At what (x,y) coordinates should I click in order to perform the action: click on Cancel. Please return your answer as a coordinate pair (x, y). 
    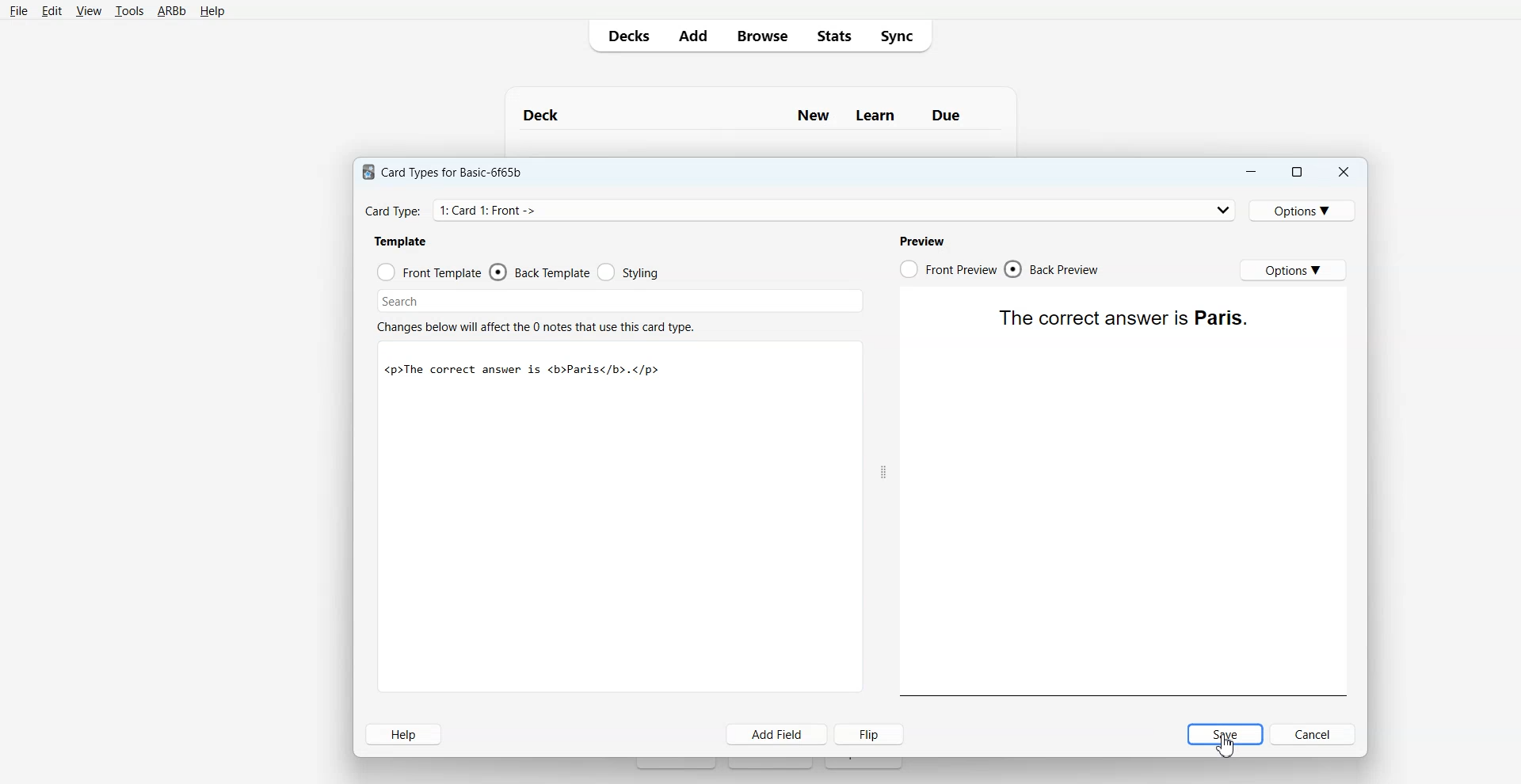
    Looking at the image, I should click on (1313, 734).